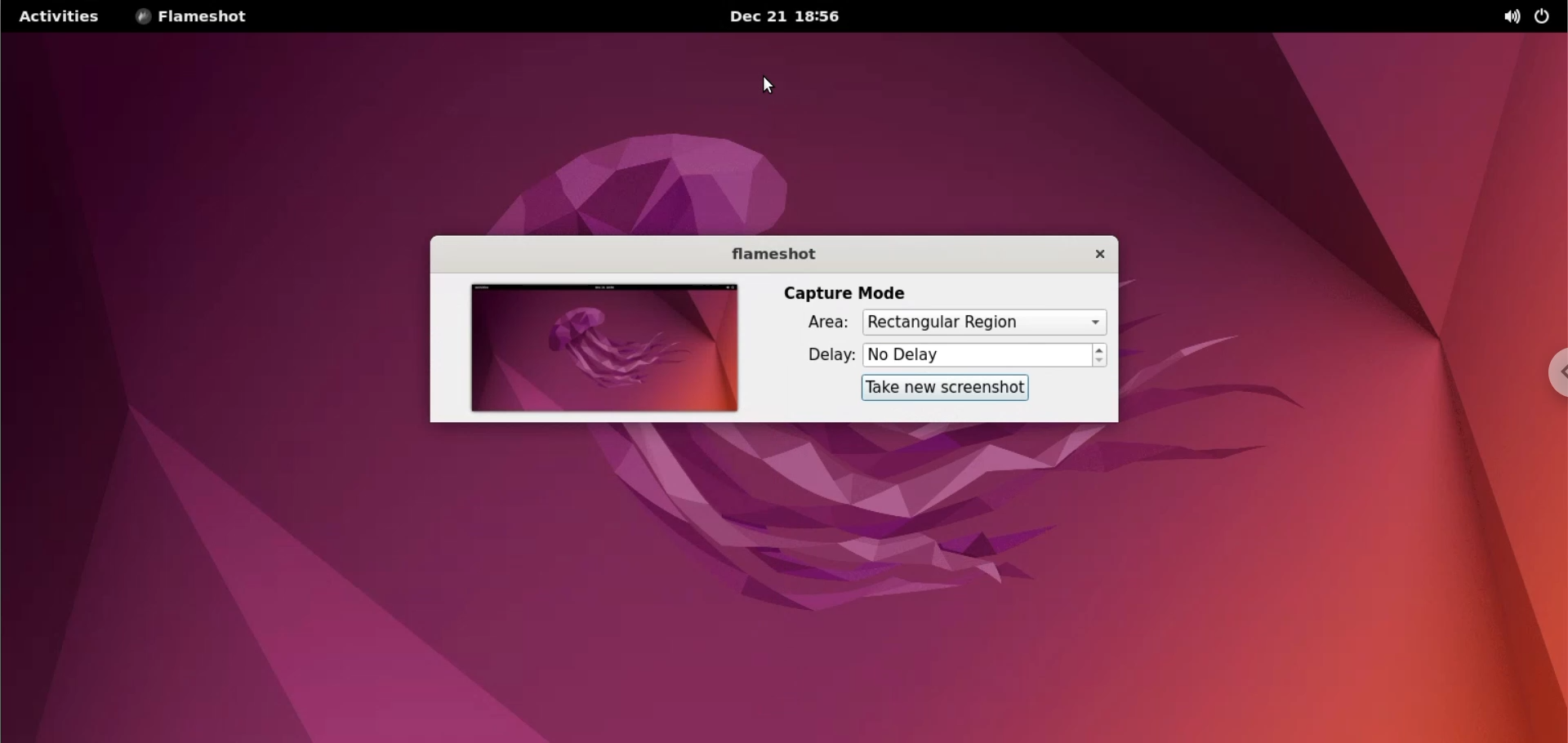 Image resolution: width=1568 pixels, height=743 pixels. Describe the element at coordinates (977, 356) in the screenshot. I see `No Delay` at that location.